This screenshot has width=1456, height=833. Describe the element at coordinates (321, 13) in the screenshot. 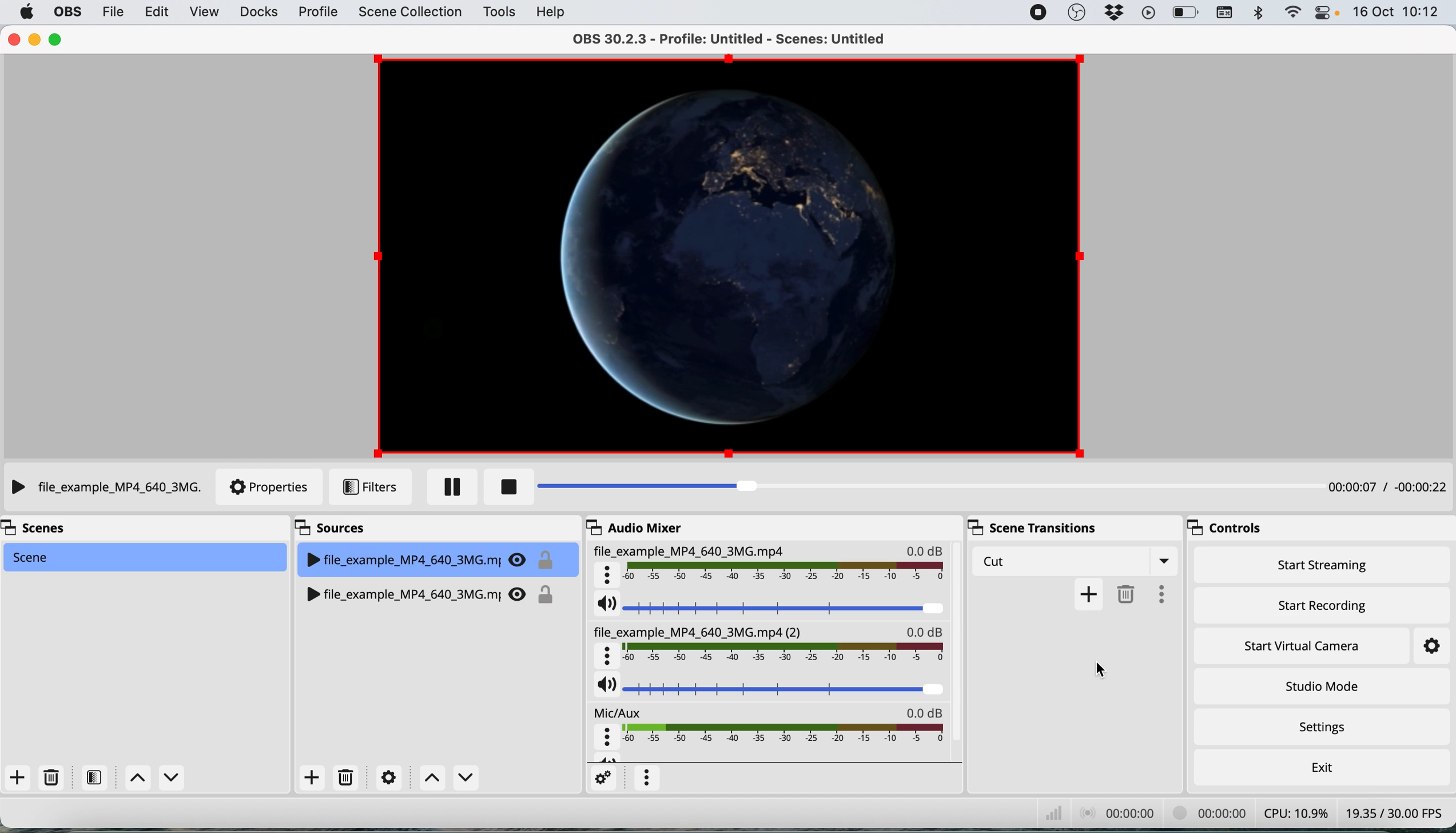

I see `profile` at that location.